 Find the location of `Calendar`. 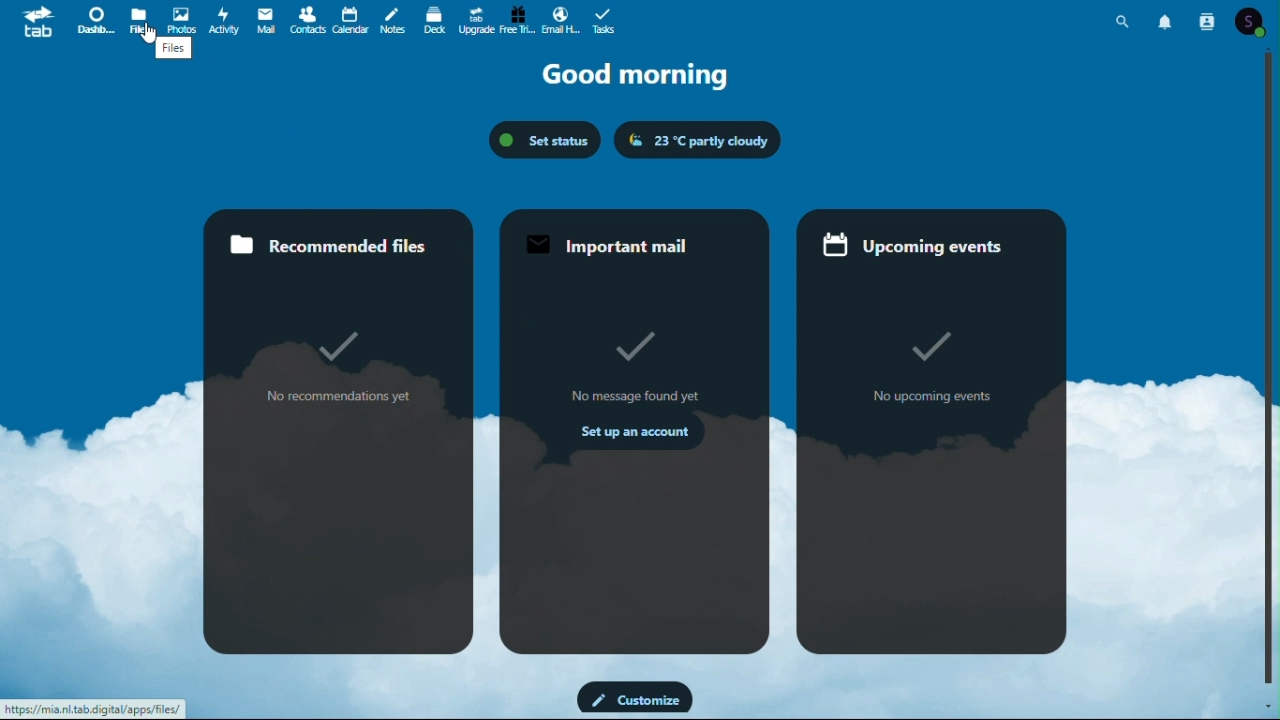

Calendar is located at coordinates (351, 18).